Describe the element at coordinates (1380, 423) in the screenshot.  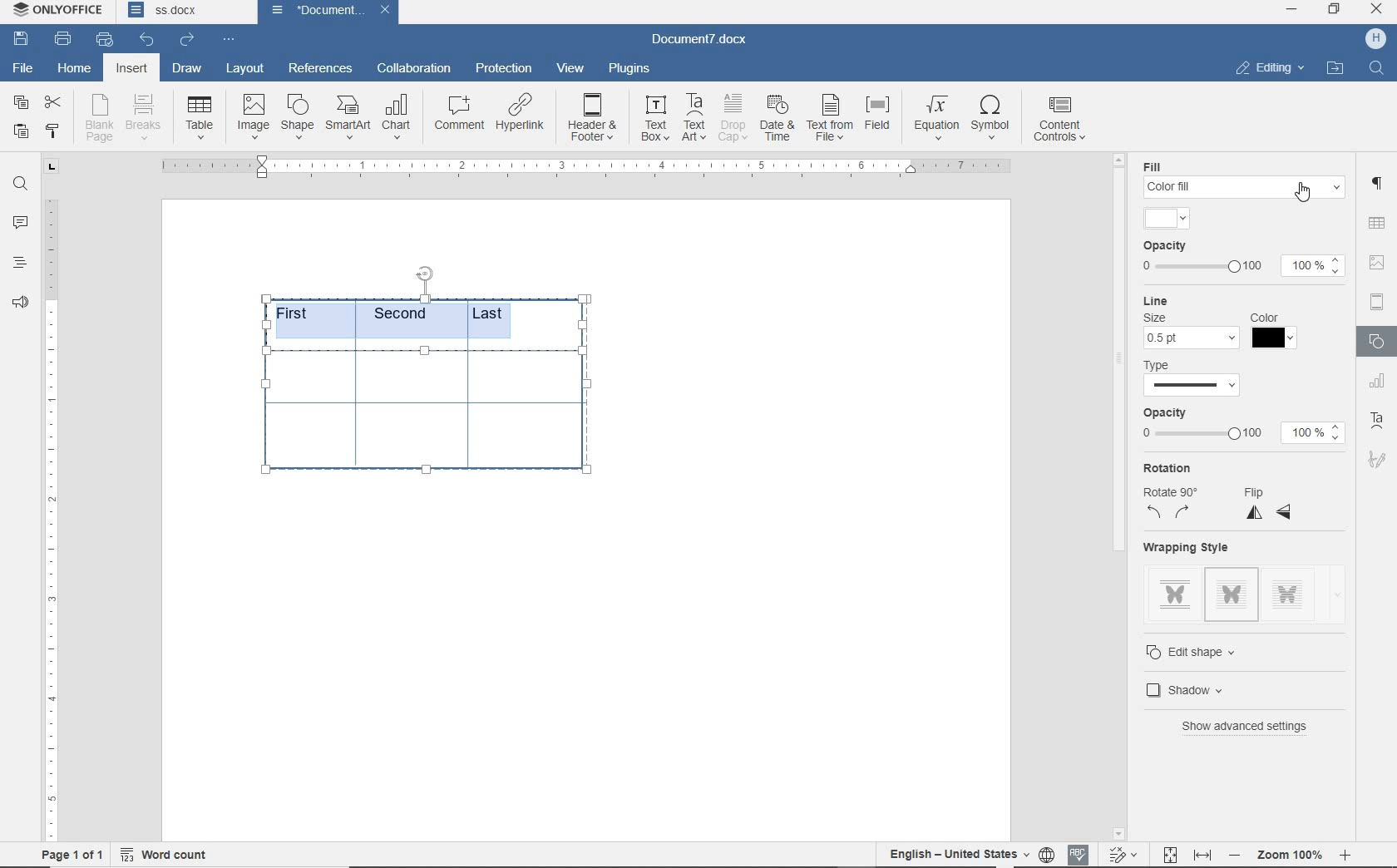
I see `text art` at that location.